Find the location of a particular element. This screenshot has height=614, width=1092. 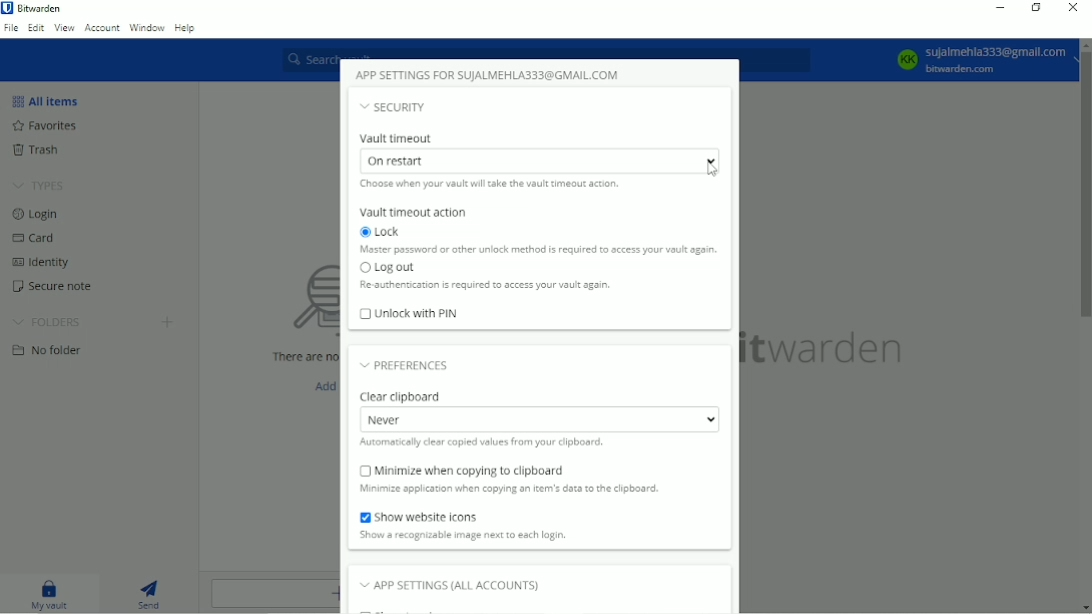

Help is located at coordinates (186, 27).